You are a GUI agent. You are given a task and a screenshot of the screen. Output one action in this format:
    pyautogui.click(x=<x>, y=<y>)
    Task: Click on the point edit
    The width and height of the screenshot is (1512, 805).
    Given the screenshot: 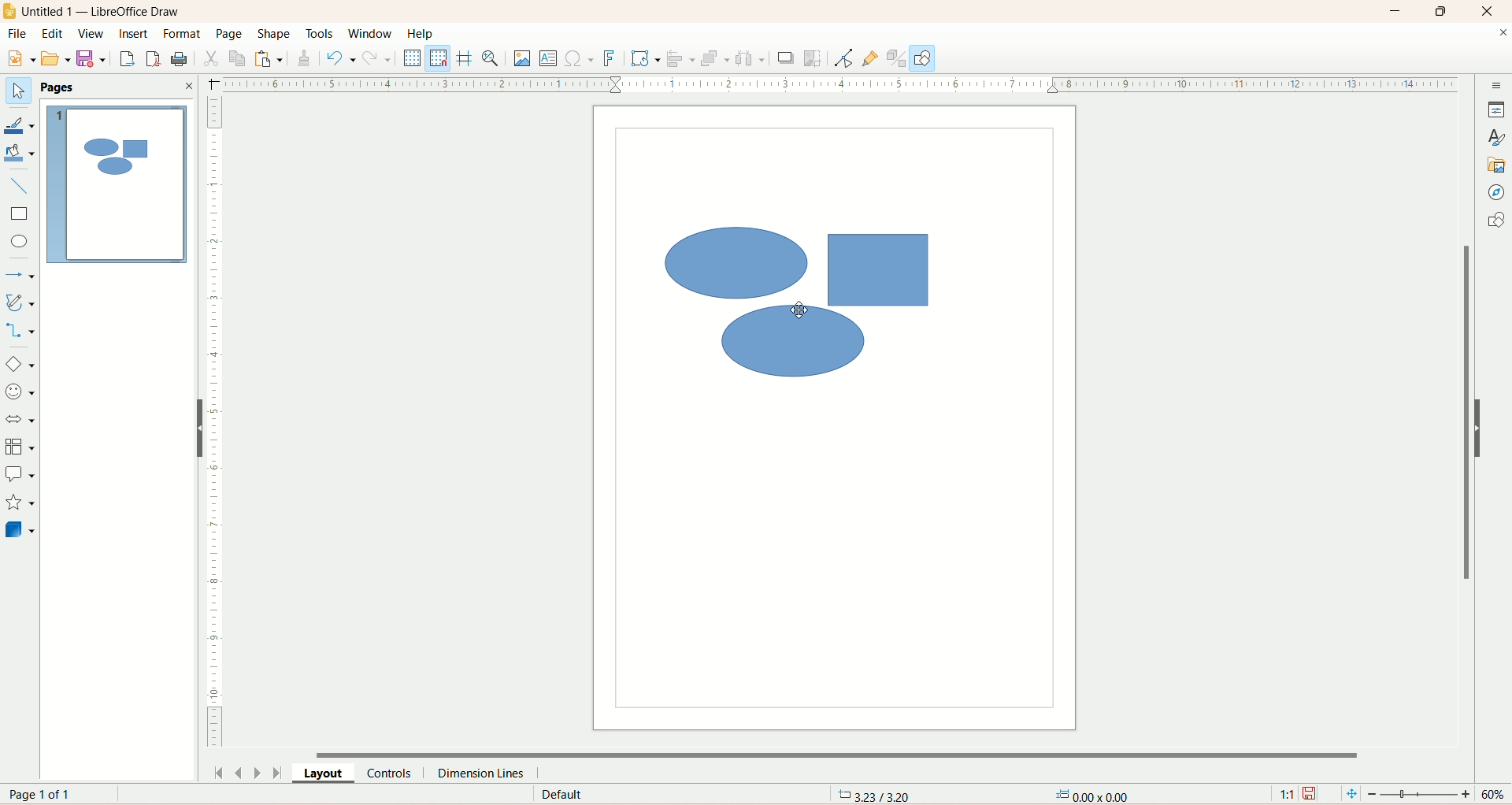 What is the action you would take?
    pyautogui.click(x=841, y=58)
    